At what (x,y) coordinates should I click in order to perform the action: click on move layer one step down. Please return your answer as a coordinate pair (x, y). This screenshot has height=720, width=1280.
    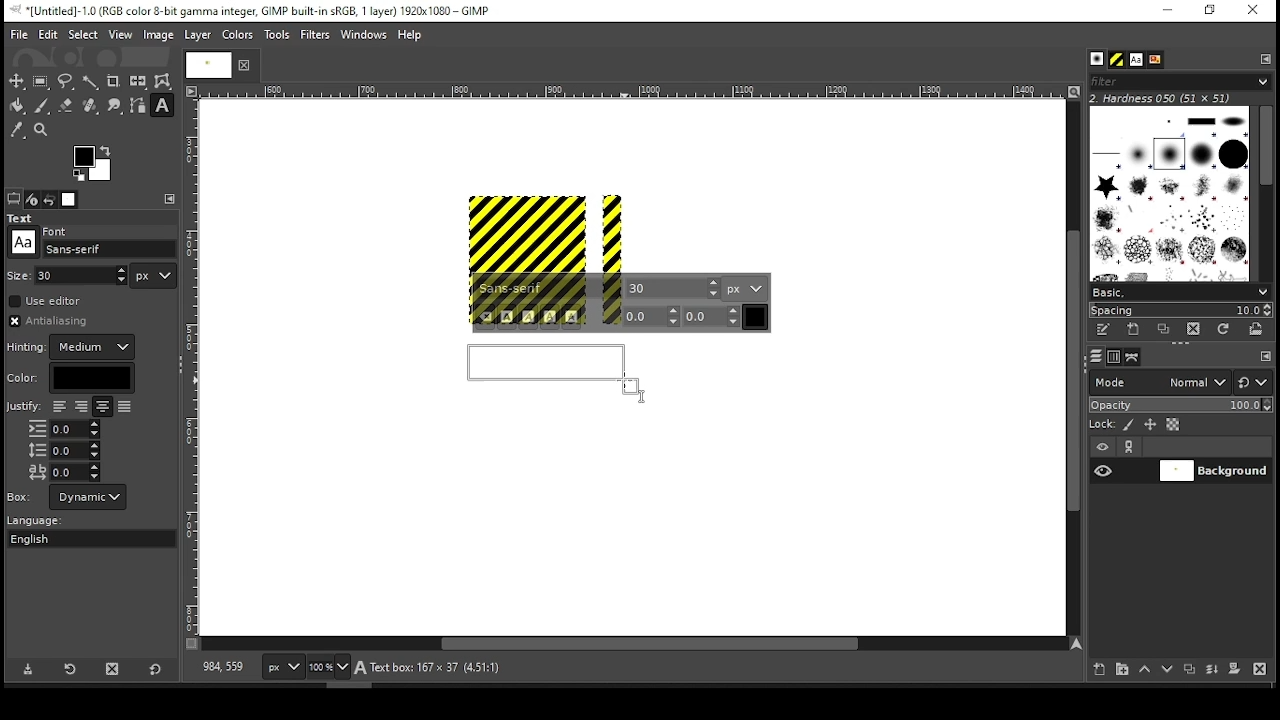
    Looking at the image, I should click on (1168, 671).